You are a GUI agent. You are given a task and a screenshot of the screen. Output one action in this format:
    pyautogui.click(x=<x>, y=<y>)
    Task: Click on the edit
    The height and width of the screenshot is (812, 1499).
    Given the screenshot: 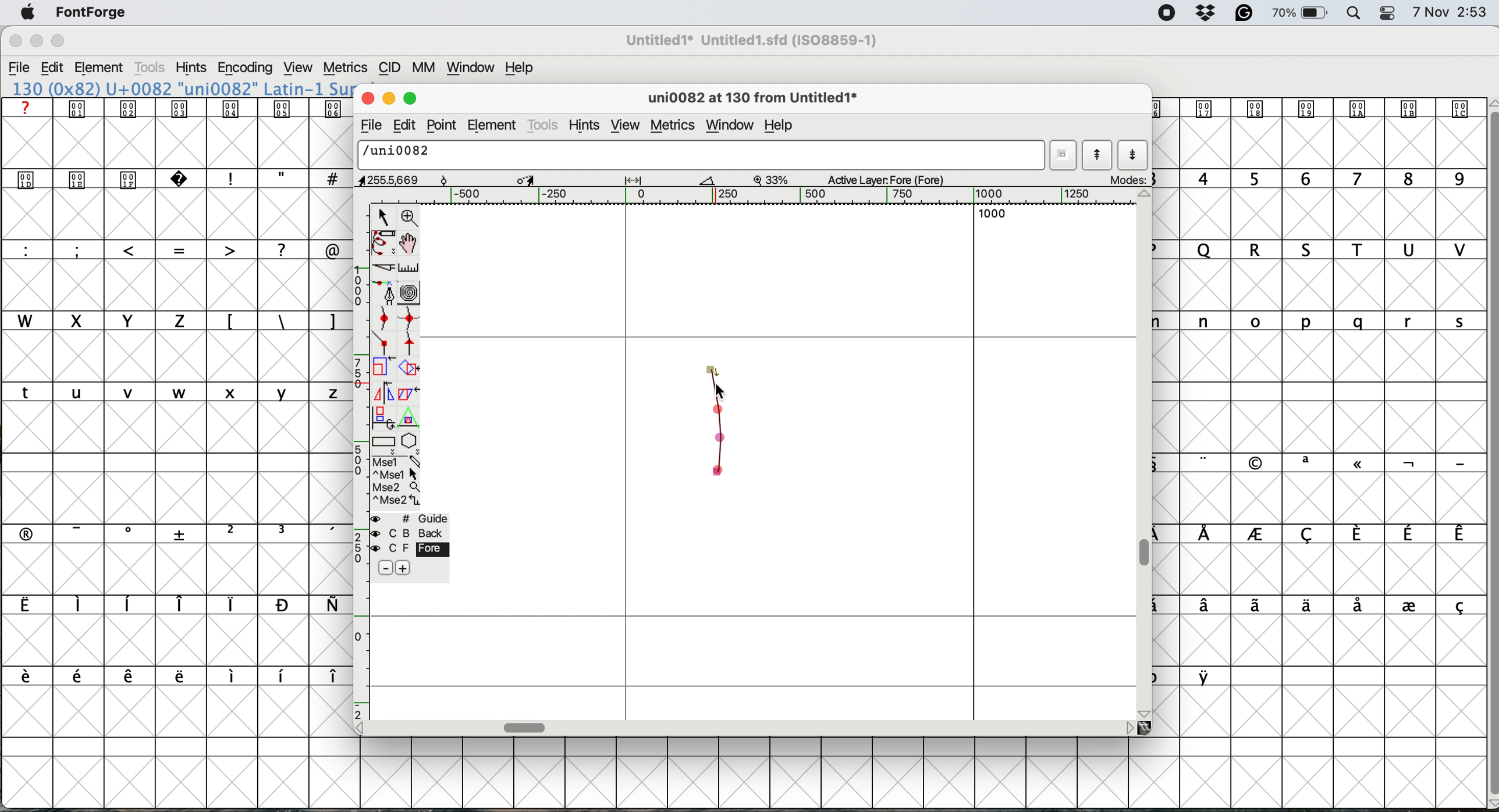 What is the action you would take?
    pyautogui.click(x=407, y=125)
    